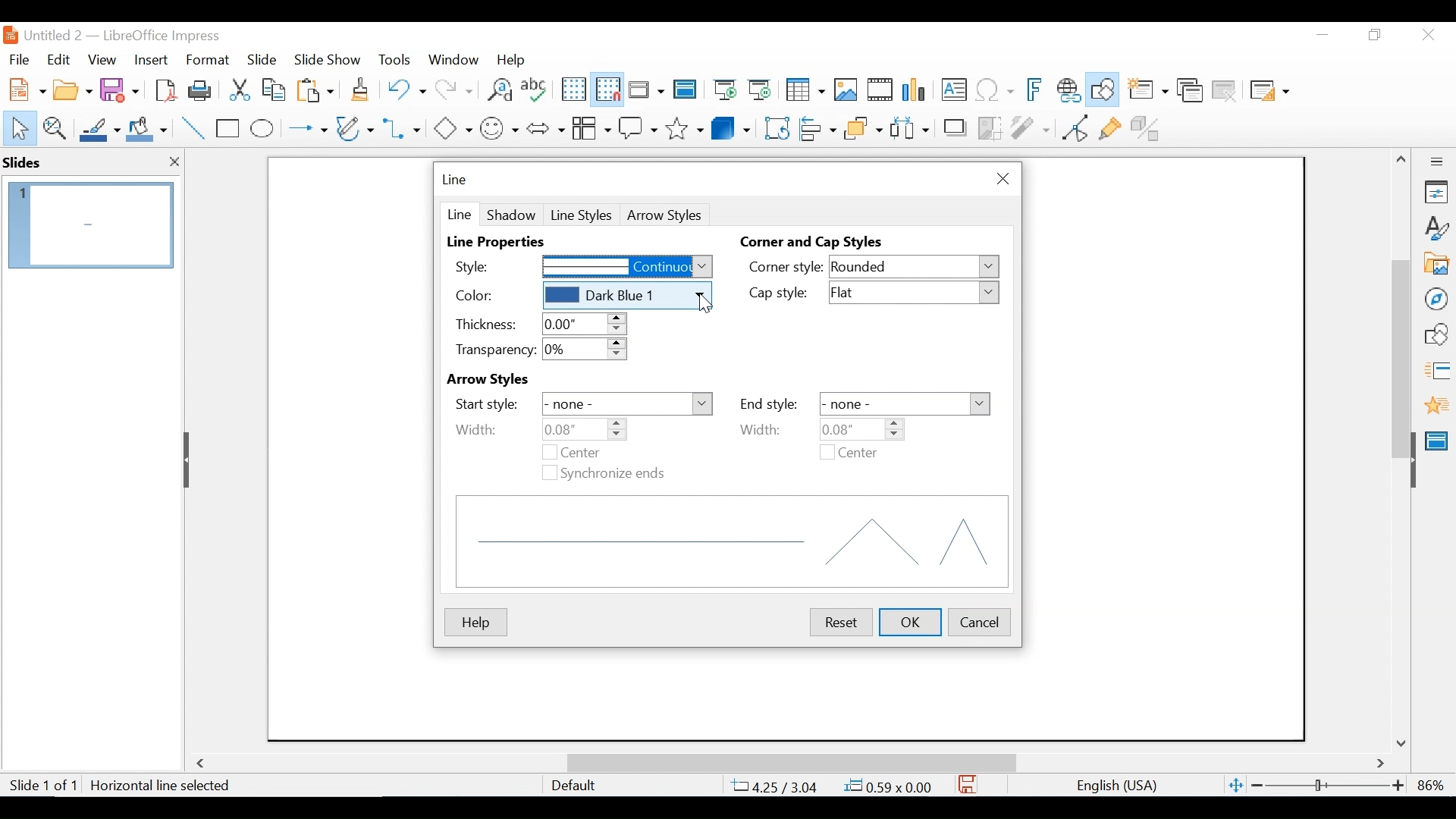 The width and height of the screenshot is (1456, 819). Describe the element at coordinates (582, 215) in the screenshot. I see `Line Styles` at that location.